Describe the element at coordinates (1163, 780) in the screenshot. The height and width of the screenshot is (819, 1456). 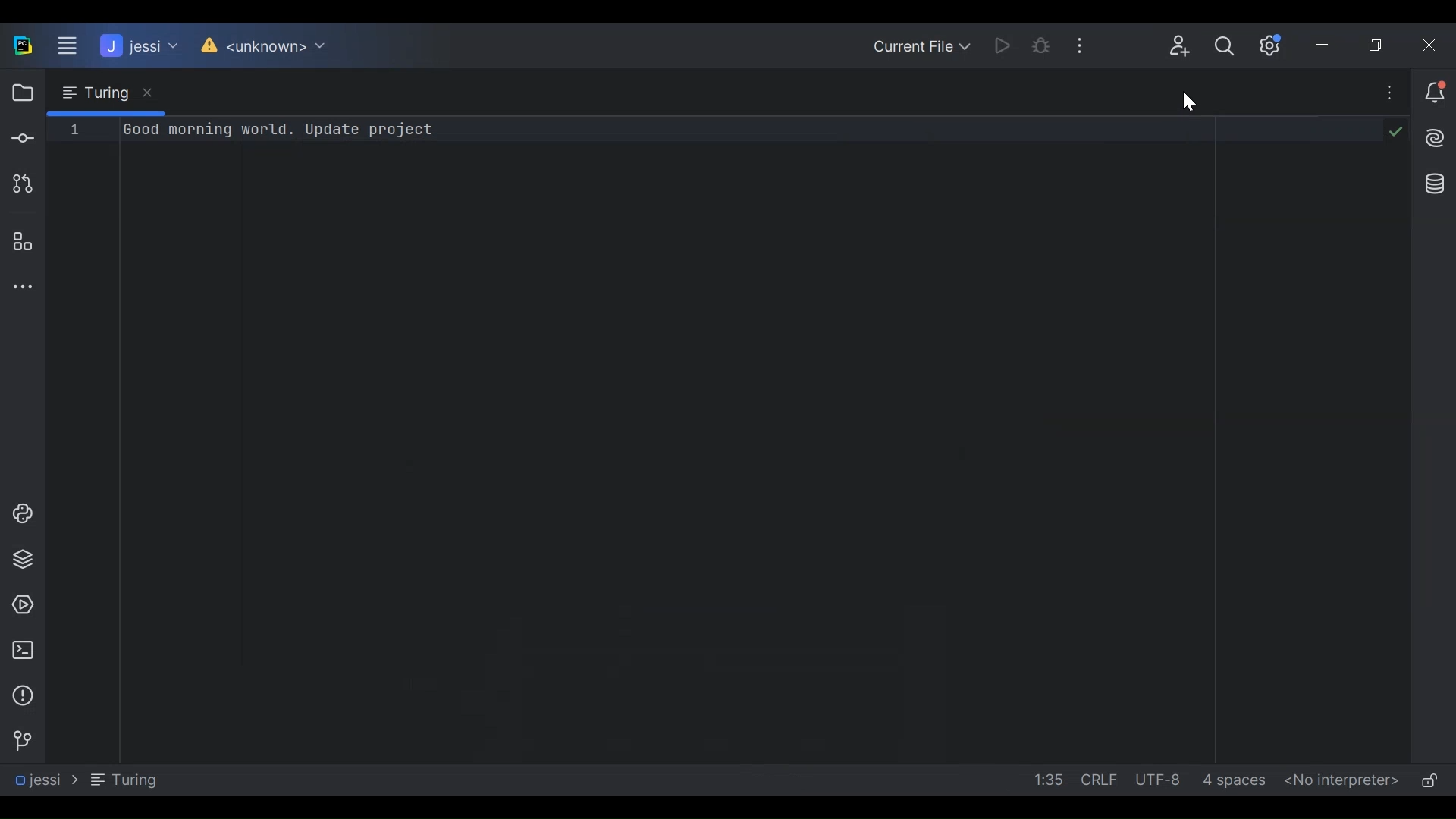
I see `UTF-8` at that location.